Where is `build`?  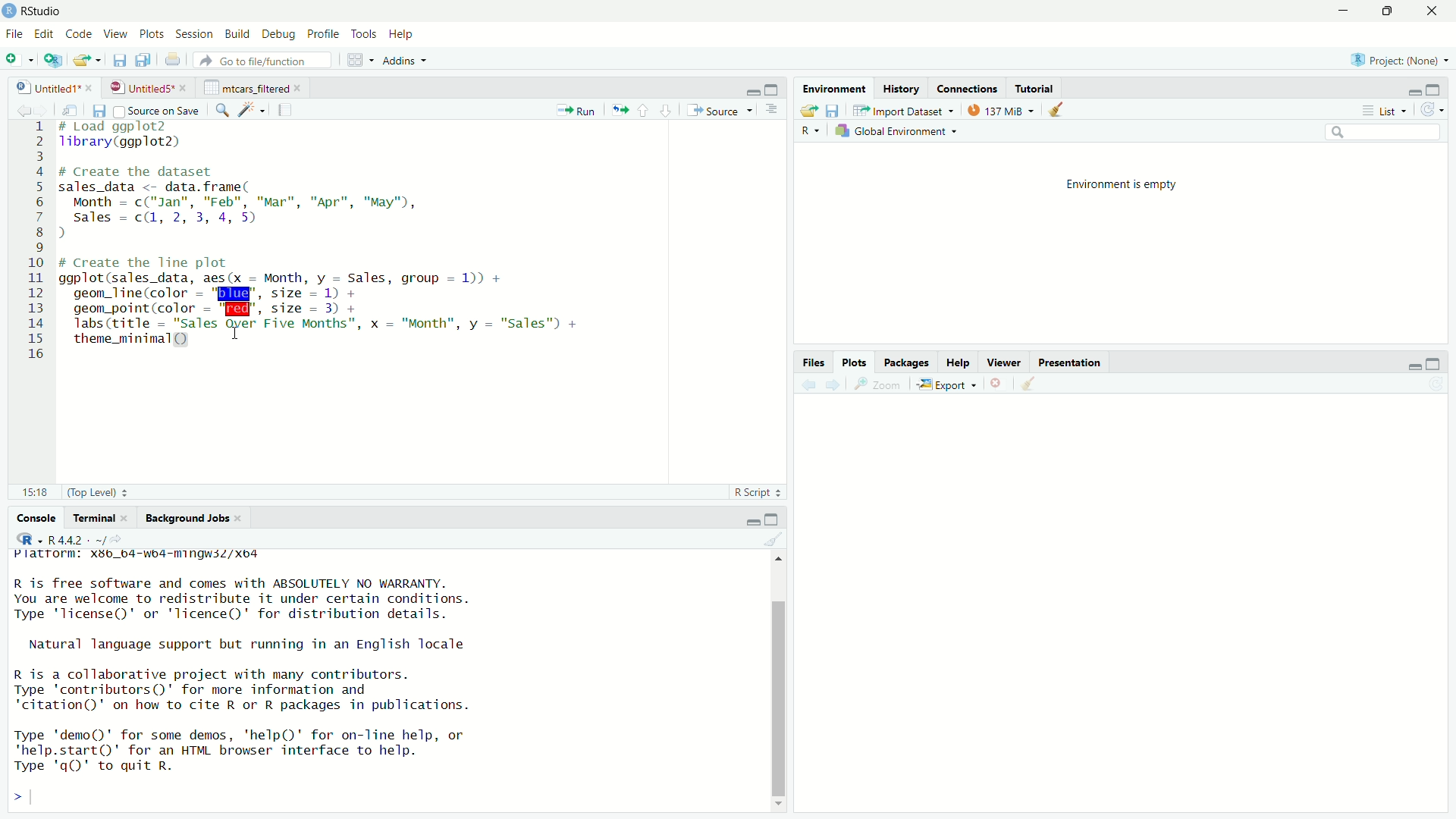 build is located at coordinates (239, 34).